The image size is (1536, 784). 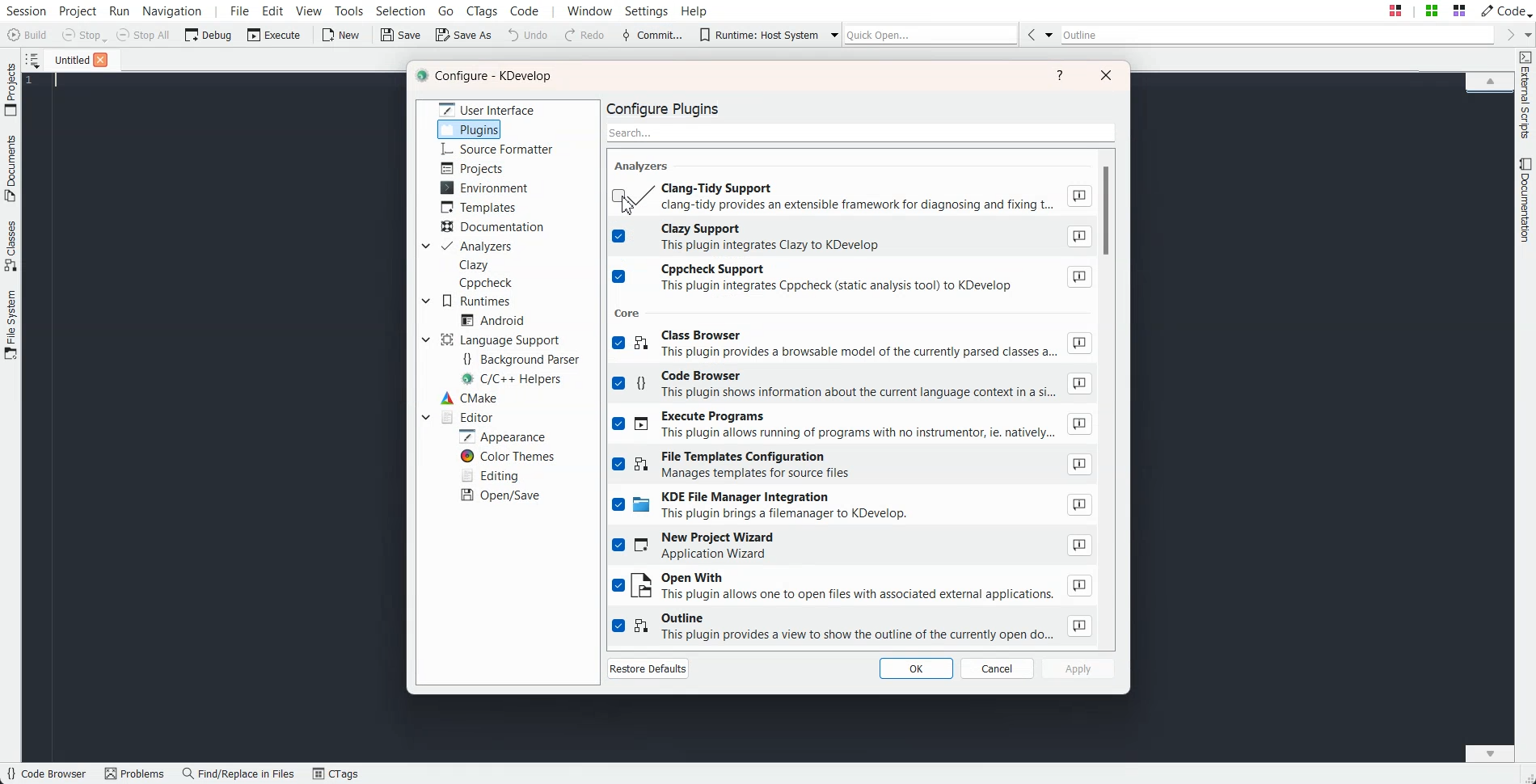 What do you see at coordinates (489, 474) in the screenshot?
I see `Editing` at bounding box center [489, 474].